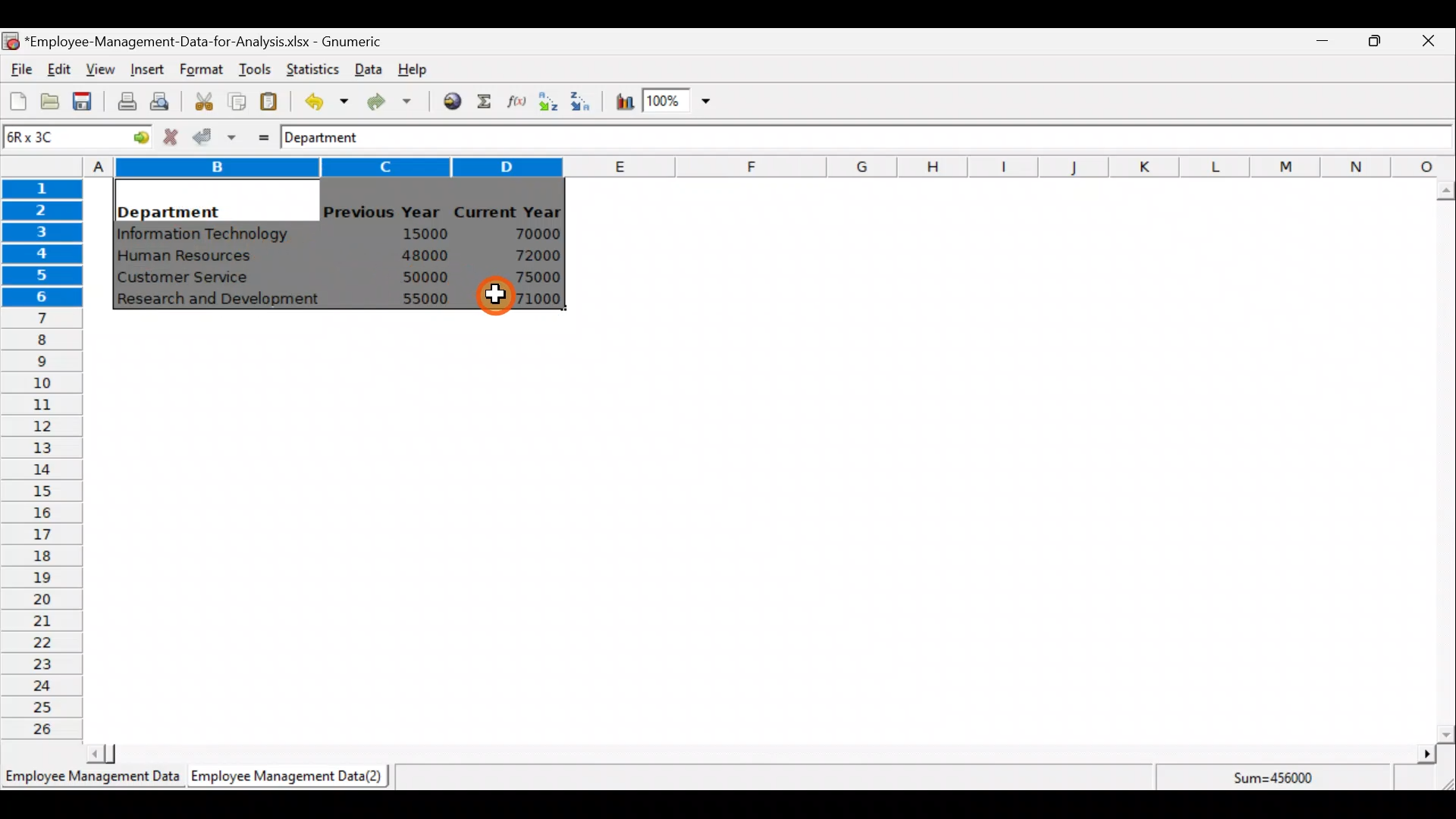  Describe the element at coordinates (761, 534) in the screenshot. I see `Cells` at that location.